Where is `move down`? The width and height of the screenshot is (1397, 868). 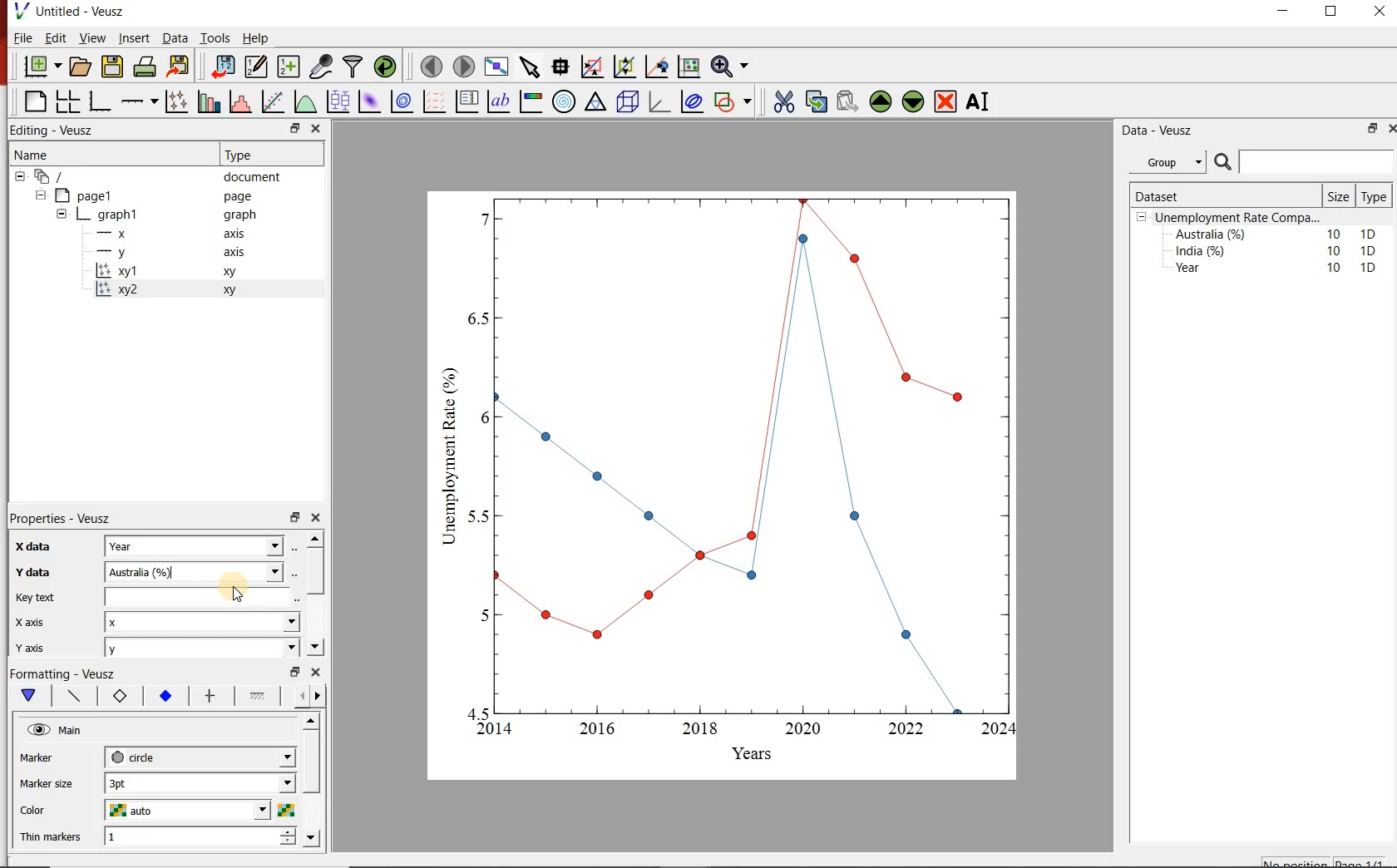 move down is located at coordinates (314, 646).